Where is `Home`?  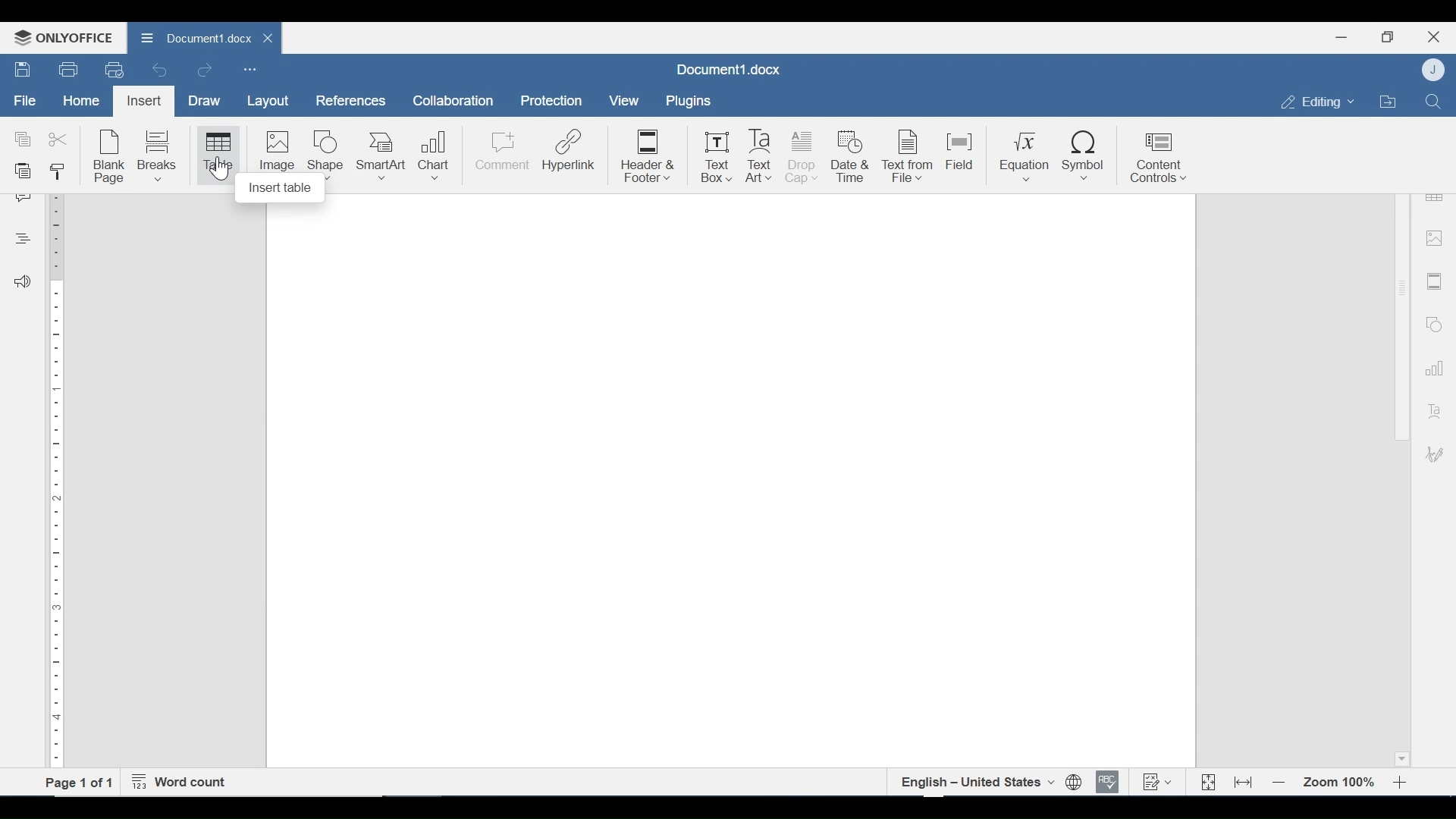
Home is located at coordinates (81, 101).